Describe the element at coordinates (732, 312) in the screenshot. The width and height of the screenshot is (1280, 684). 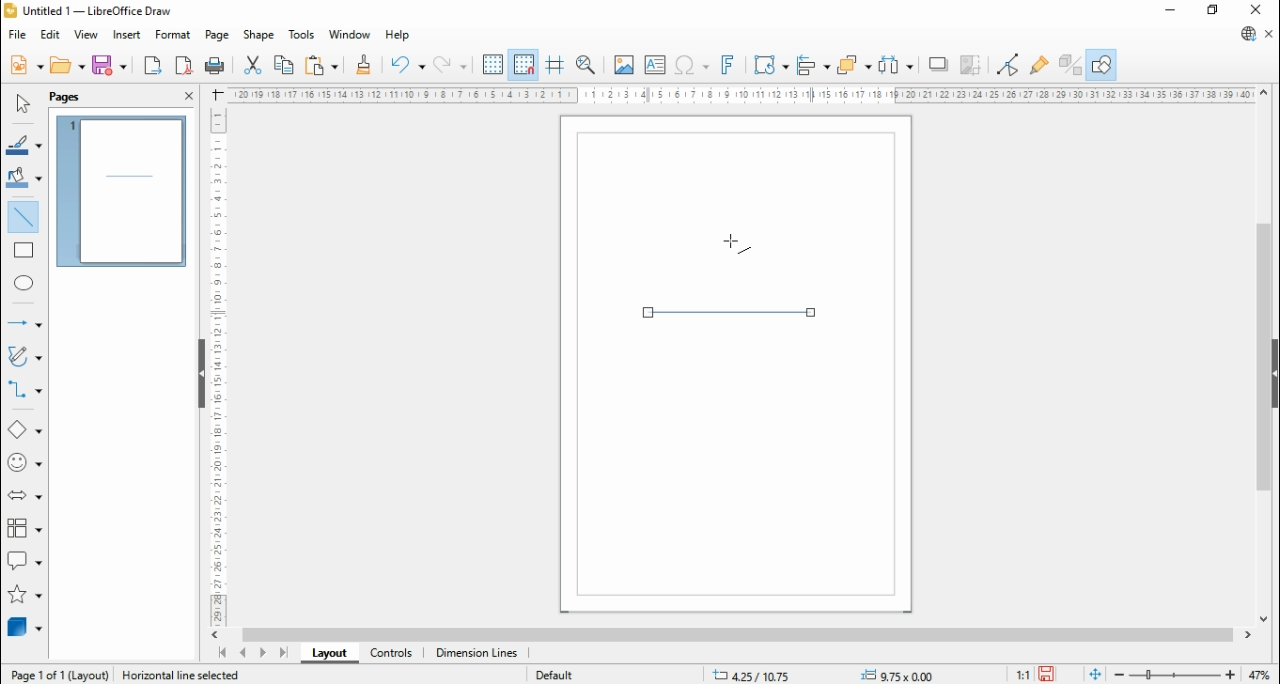
I see `new line` at that location.